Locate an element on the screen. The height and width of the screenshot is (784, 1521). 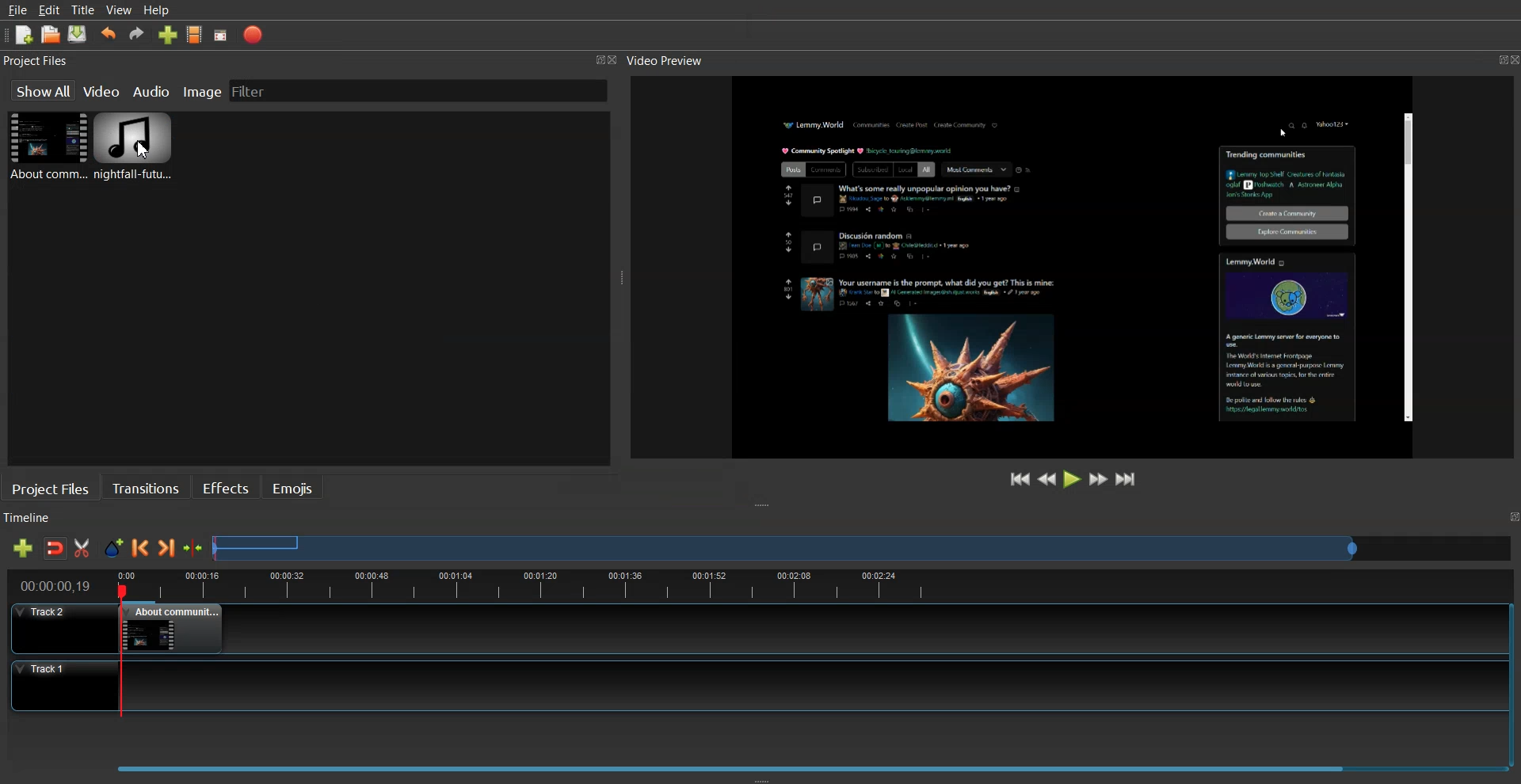
Video Preview is located at coordinates (673, 61).